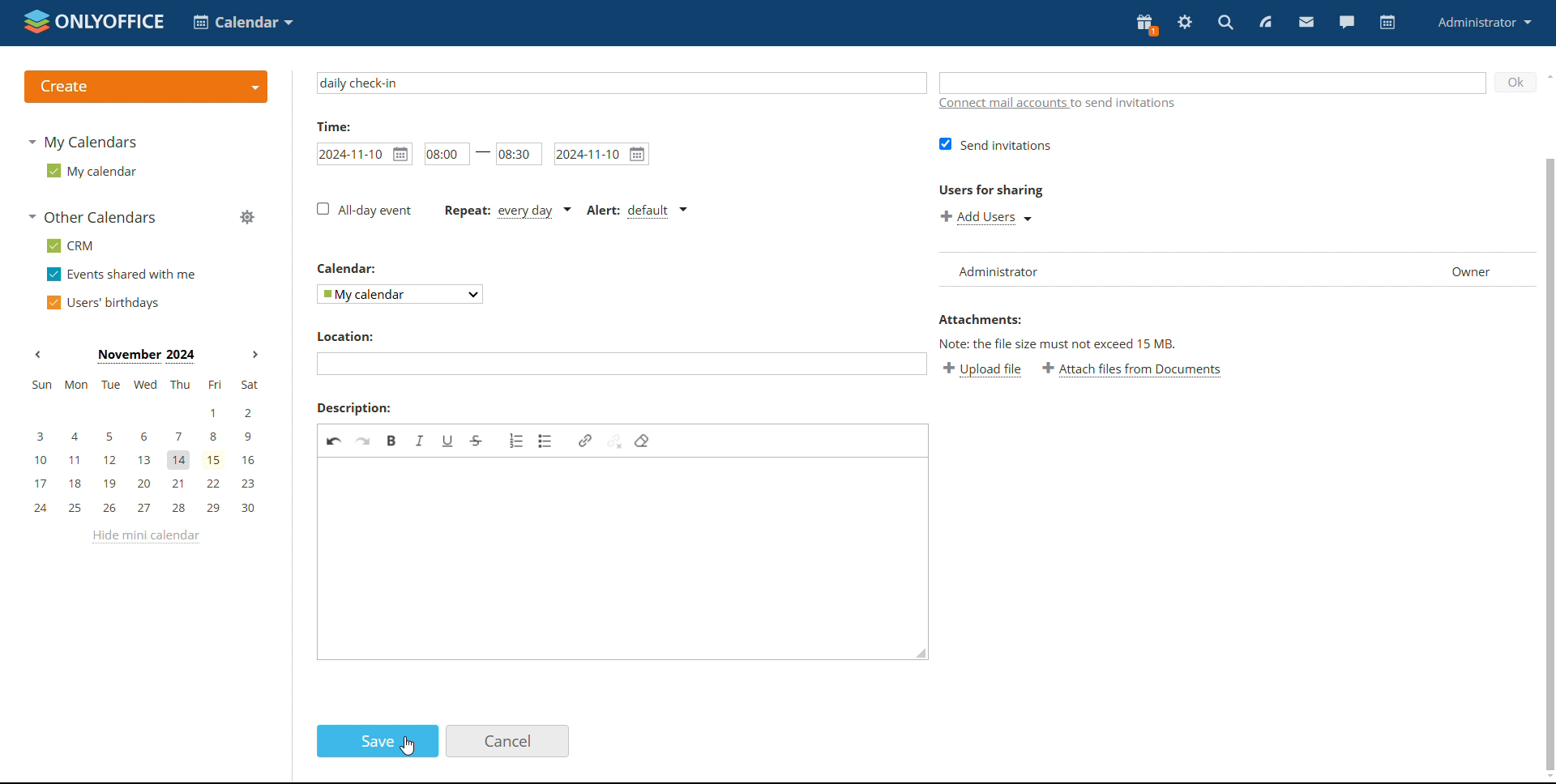  I want to click on start date, so click(360, 156).